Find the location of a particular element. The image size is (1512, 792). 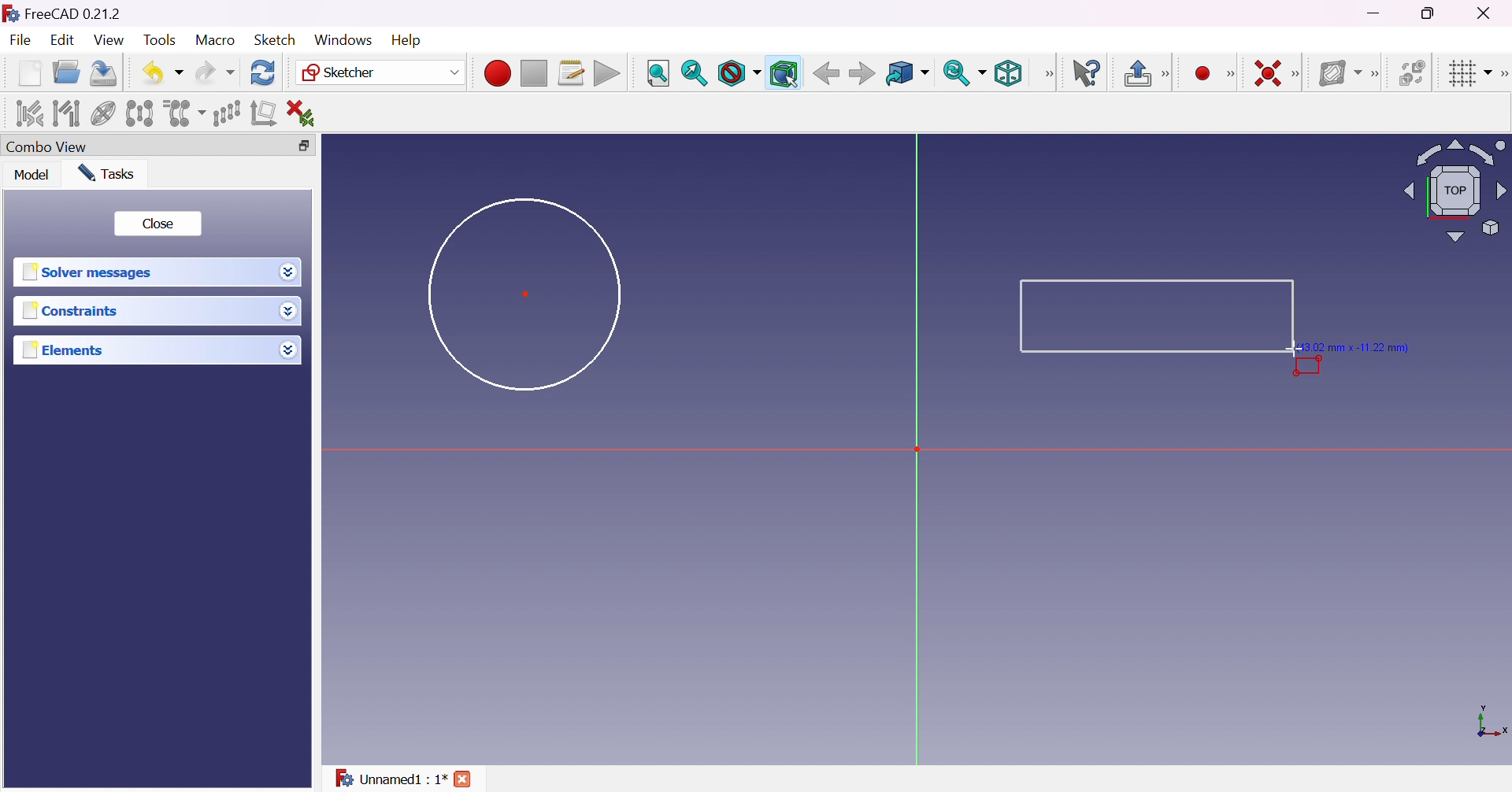

New is located at coordinates (30, 72).